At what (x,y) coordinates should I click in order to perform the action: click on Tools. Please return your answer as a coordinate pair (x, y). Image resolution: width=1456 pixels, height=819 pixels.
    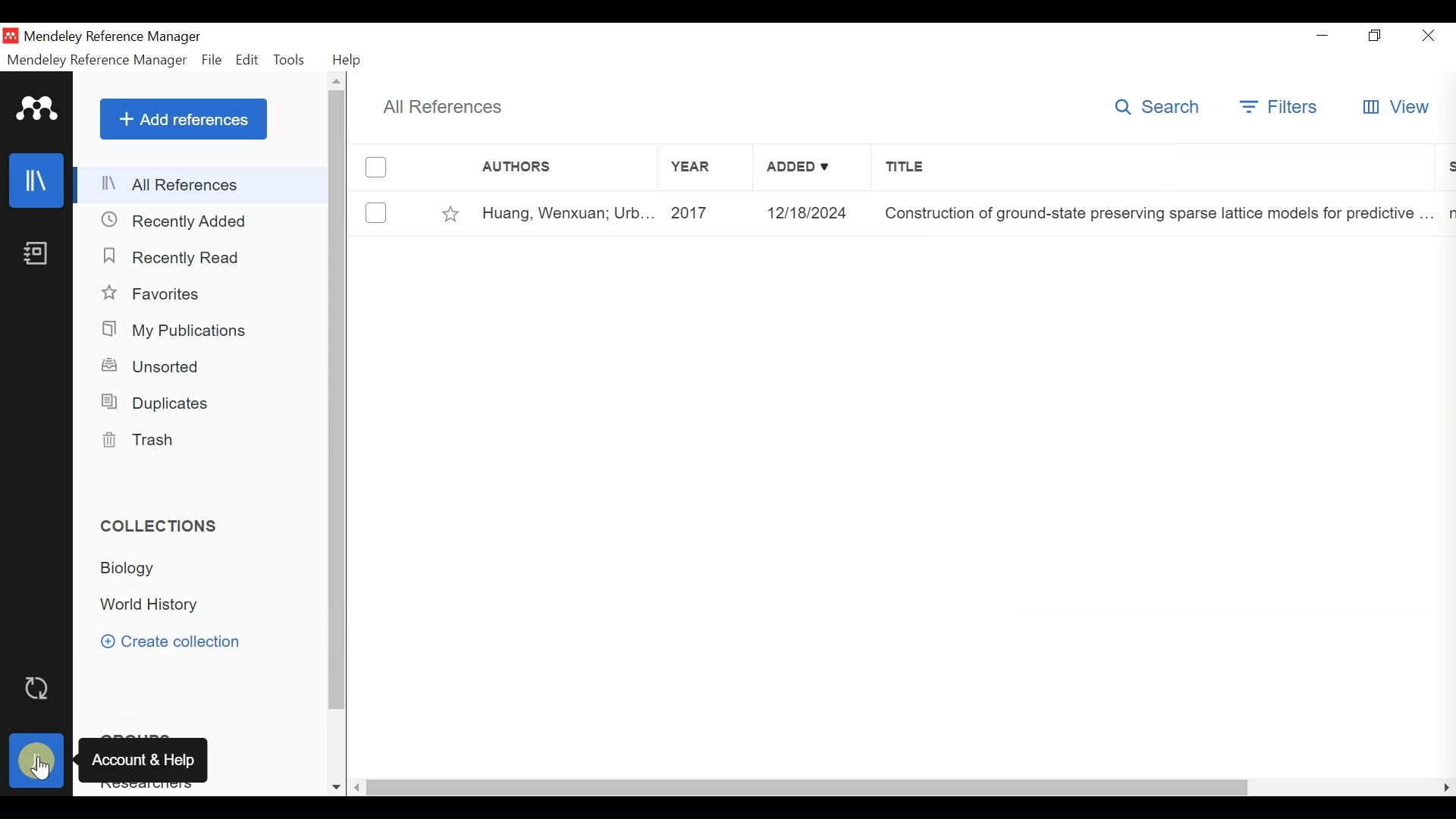
    Looking at the image, I should click on (289, 59).